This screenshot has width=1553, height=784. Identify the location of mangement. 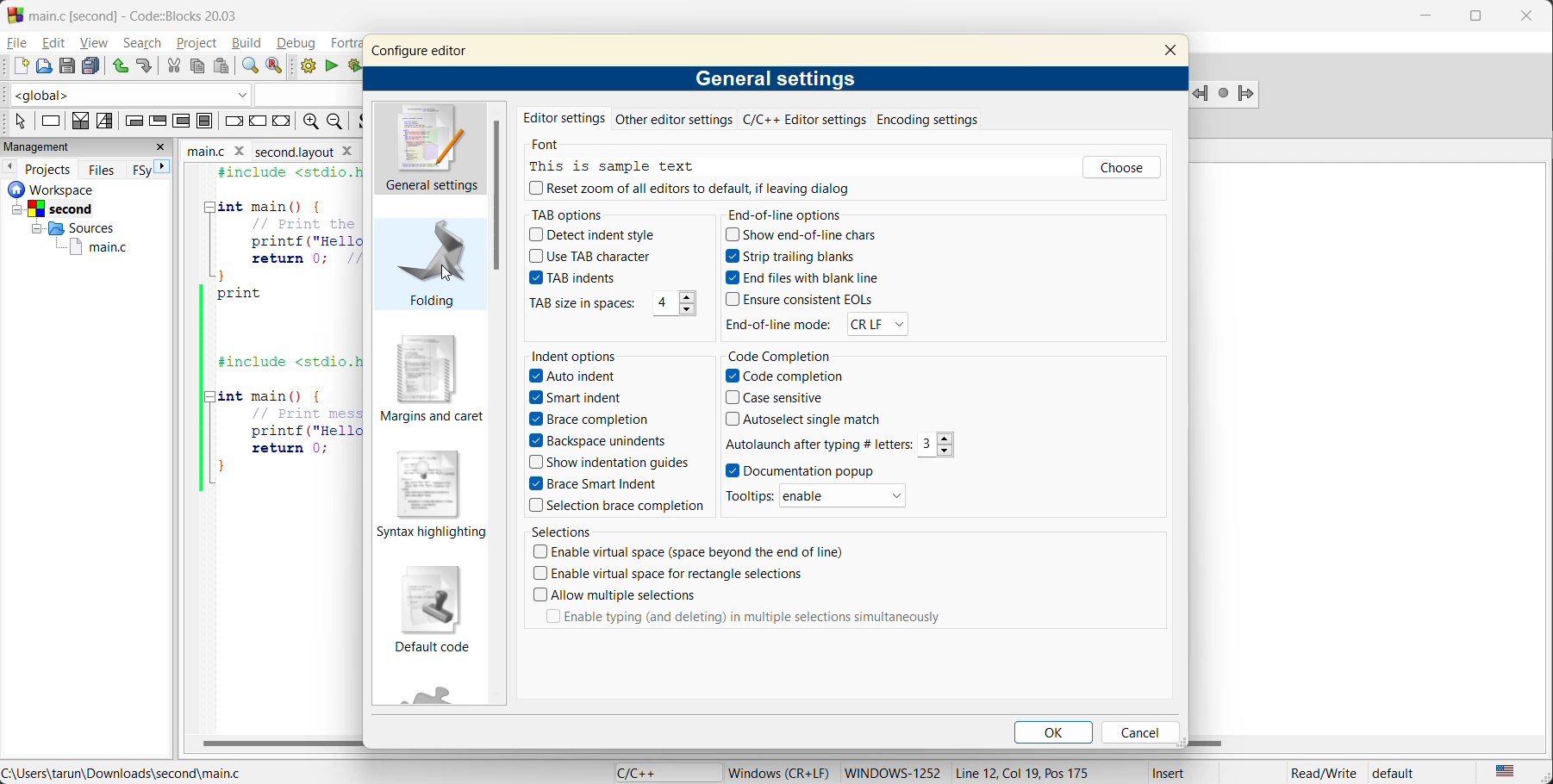
(48, 145).